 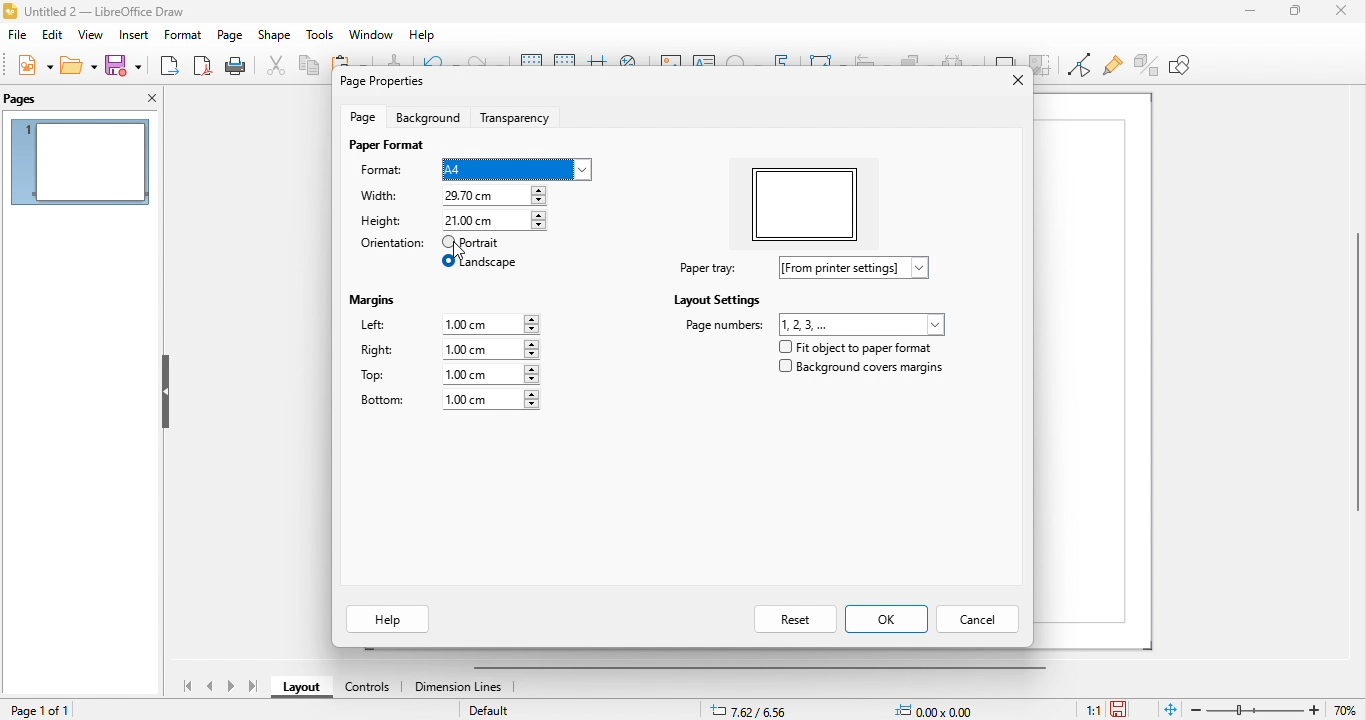 I want to click on show draw functions, so click(x=1192, y=71).